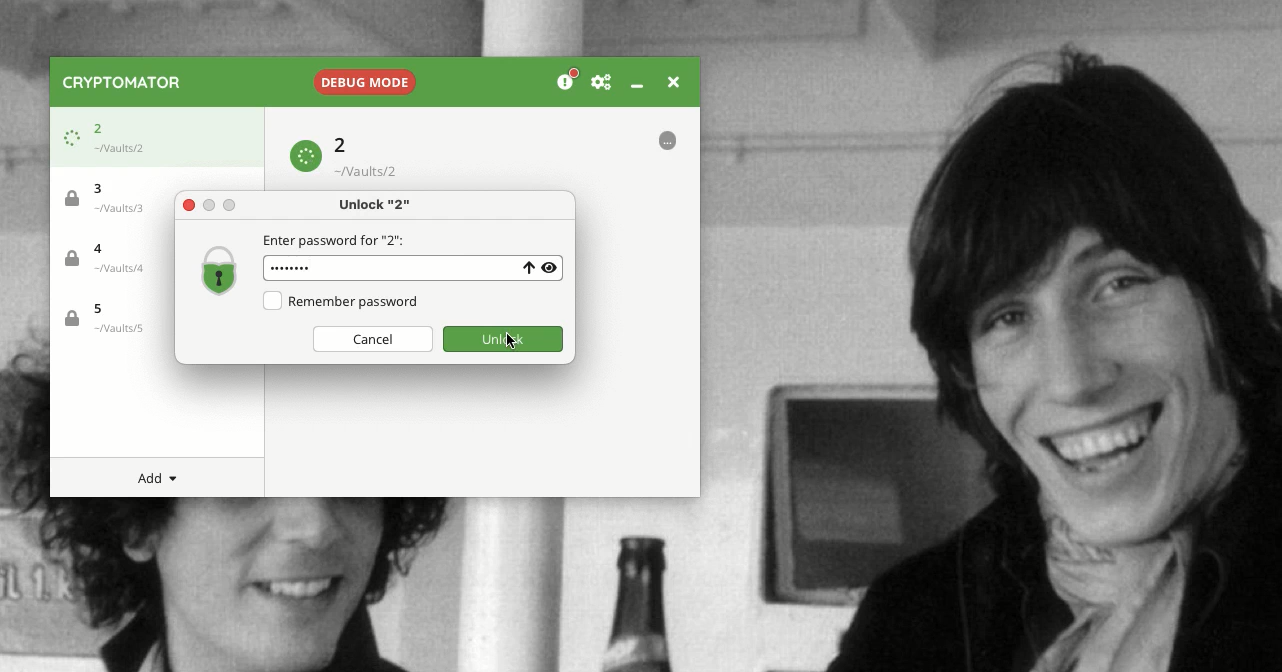 This screenshot has width=1282, height=672. I want to click on Minimize, so click(636, 85).